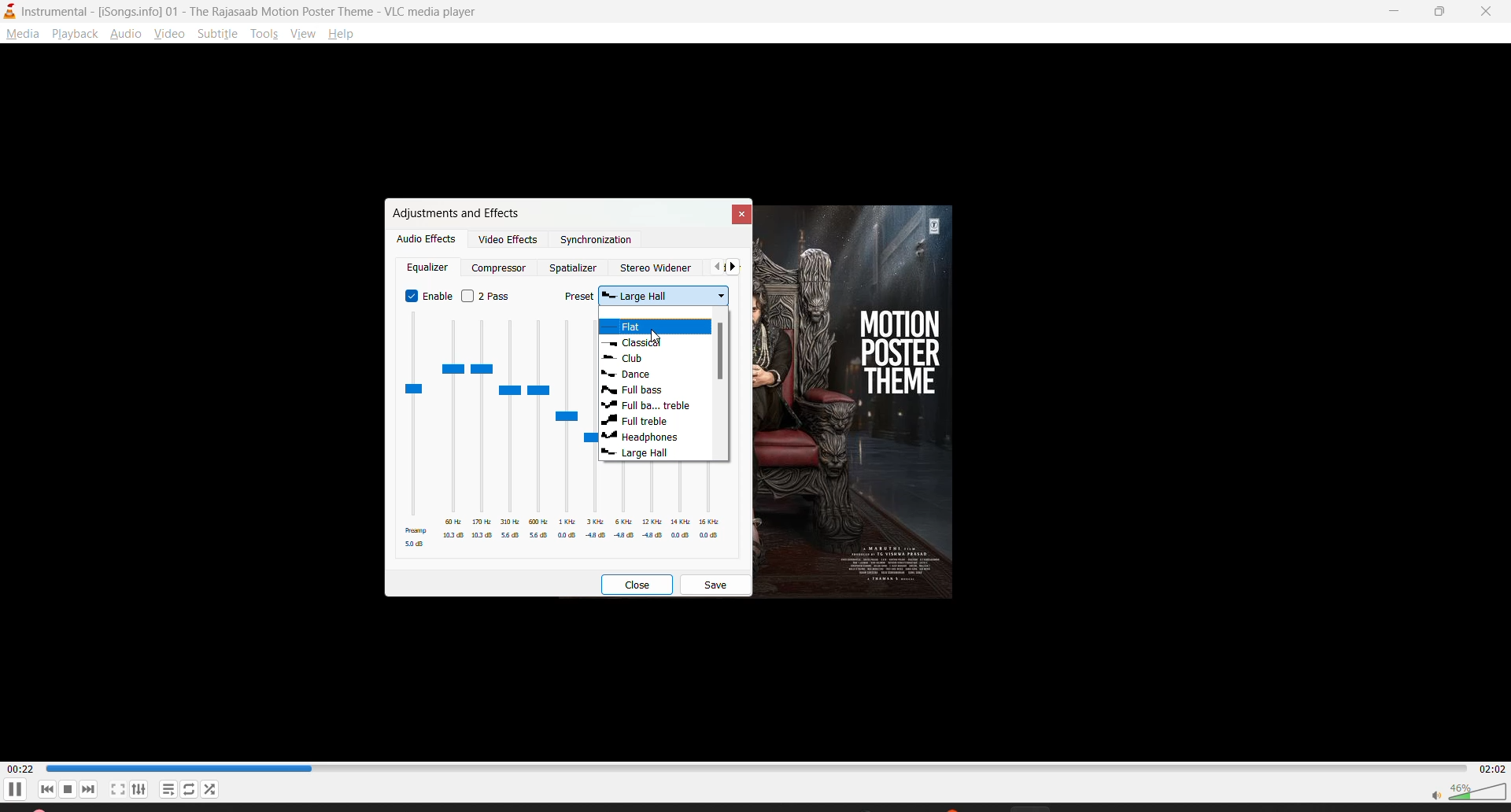 The width and height of the screenshot is (1511, 812). I want to click on enable, so click(427, 294).